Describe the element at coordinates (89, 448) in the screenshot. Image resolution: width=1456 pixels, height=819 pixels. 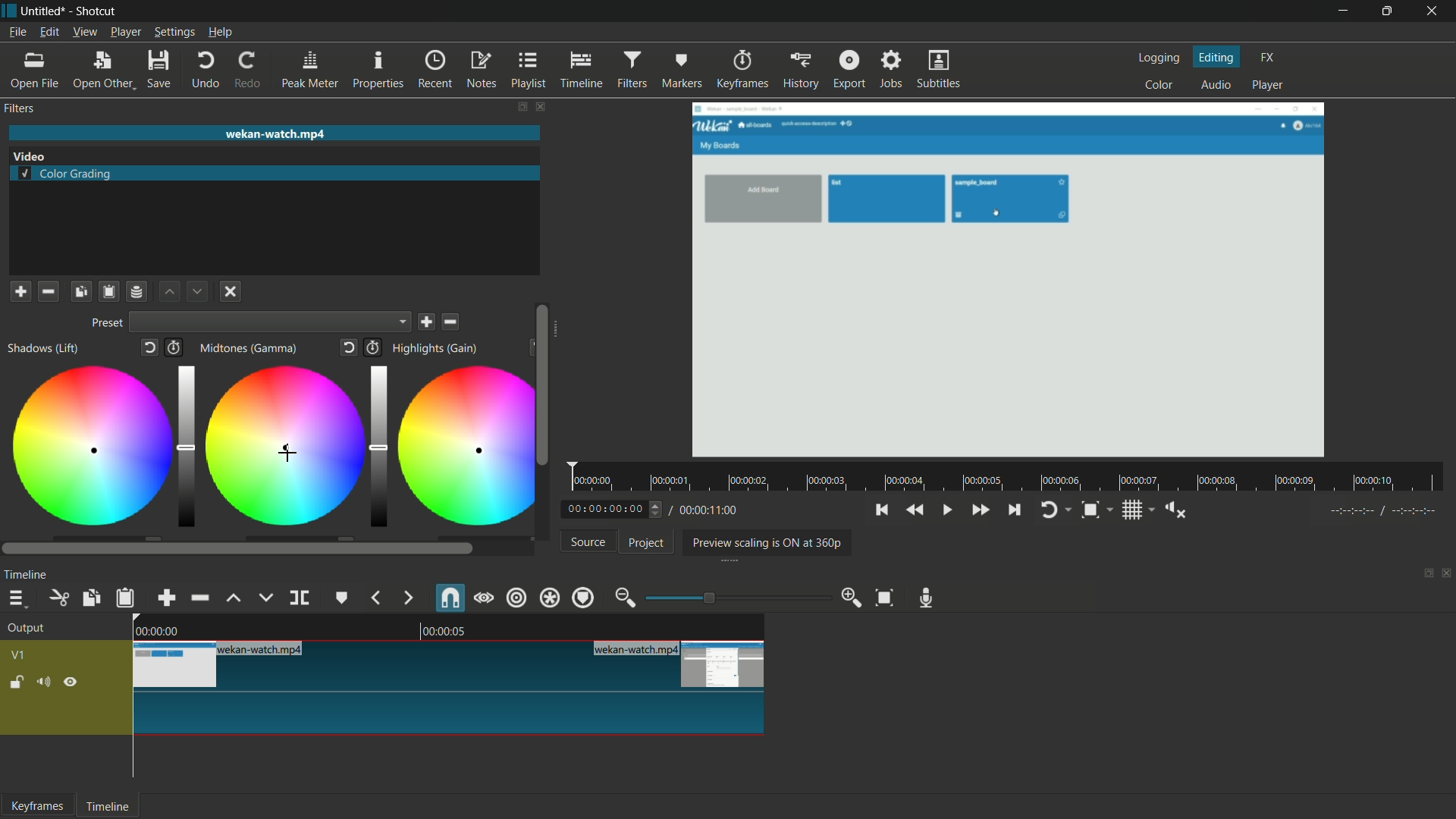
I see `color adjustment` at that location.